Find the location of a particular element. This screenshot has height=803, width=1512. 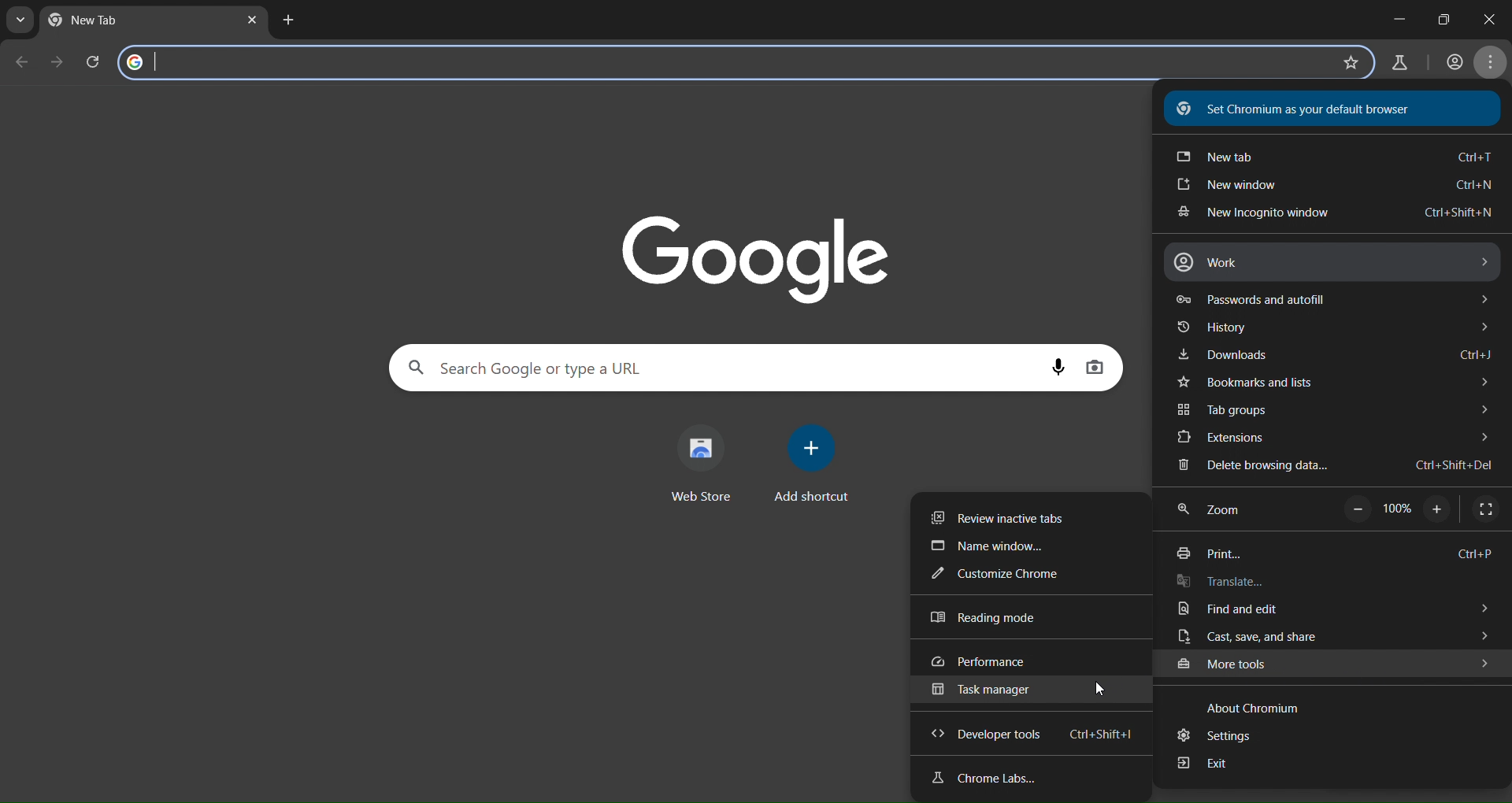

About Chromium is located at coordinates (1256, 704).